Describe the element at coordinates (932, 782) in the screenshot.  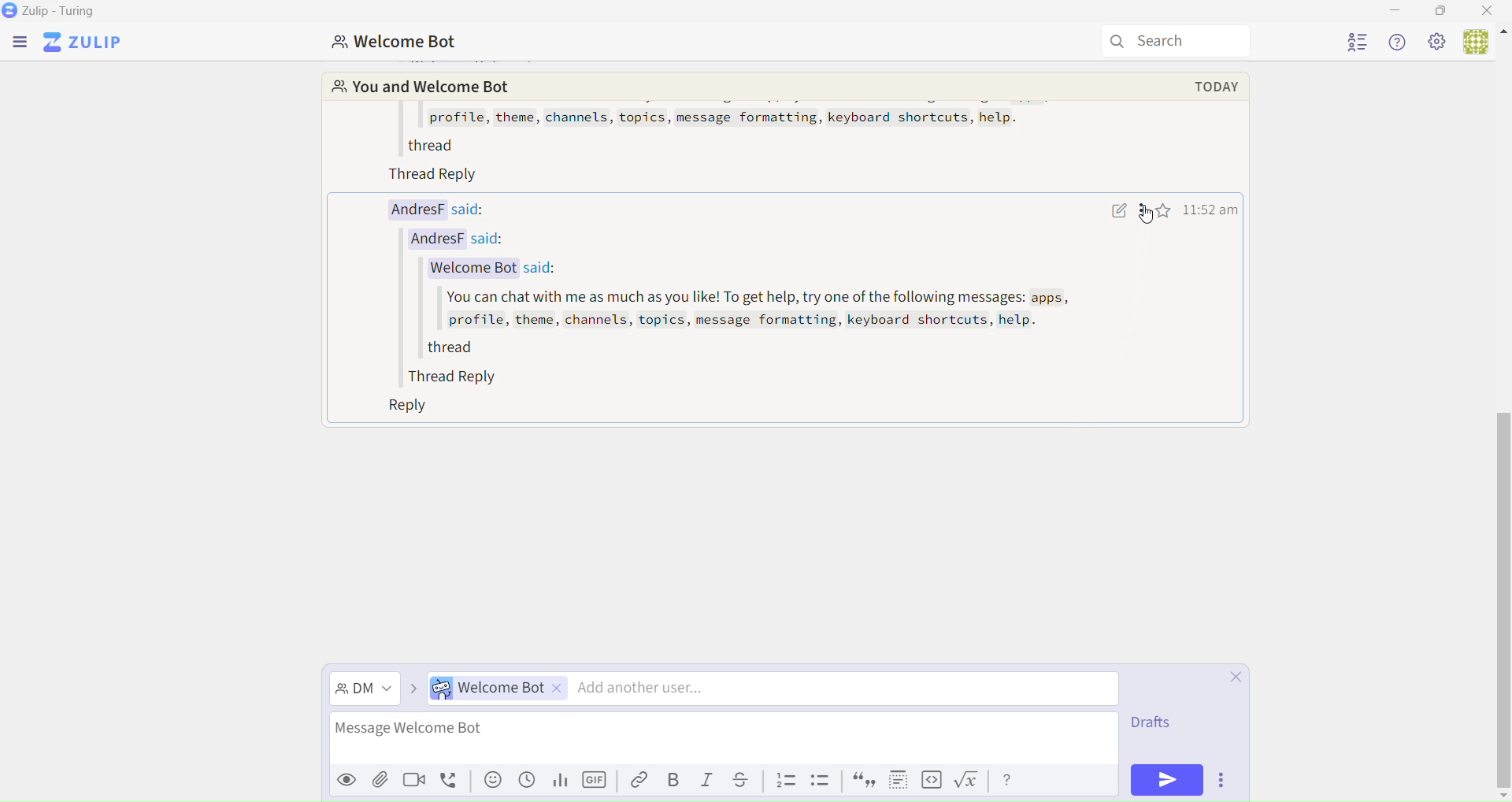
I see `code` at that location.